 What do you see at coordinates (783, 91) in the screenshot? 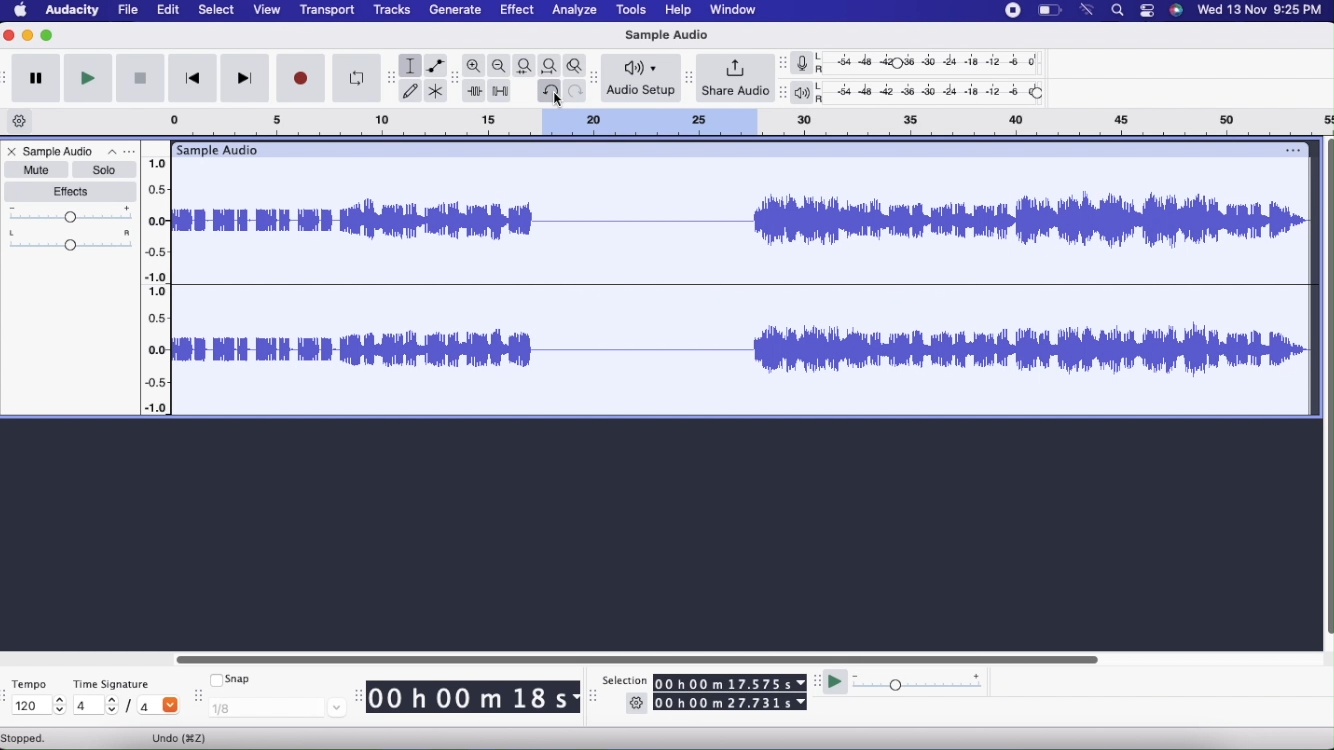
I see `move toolbar` at bounding box center [783, 91].